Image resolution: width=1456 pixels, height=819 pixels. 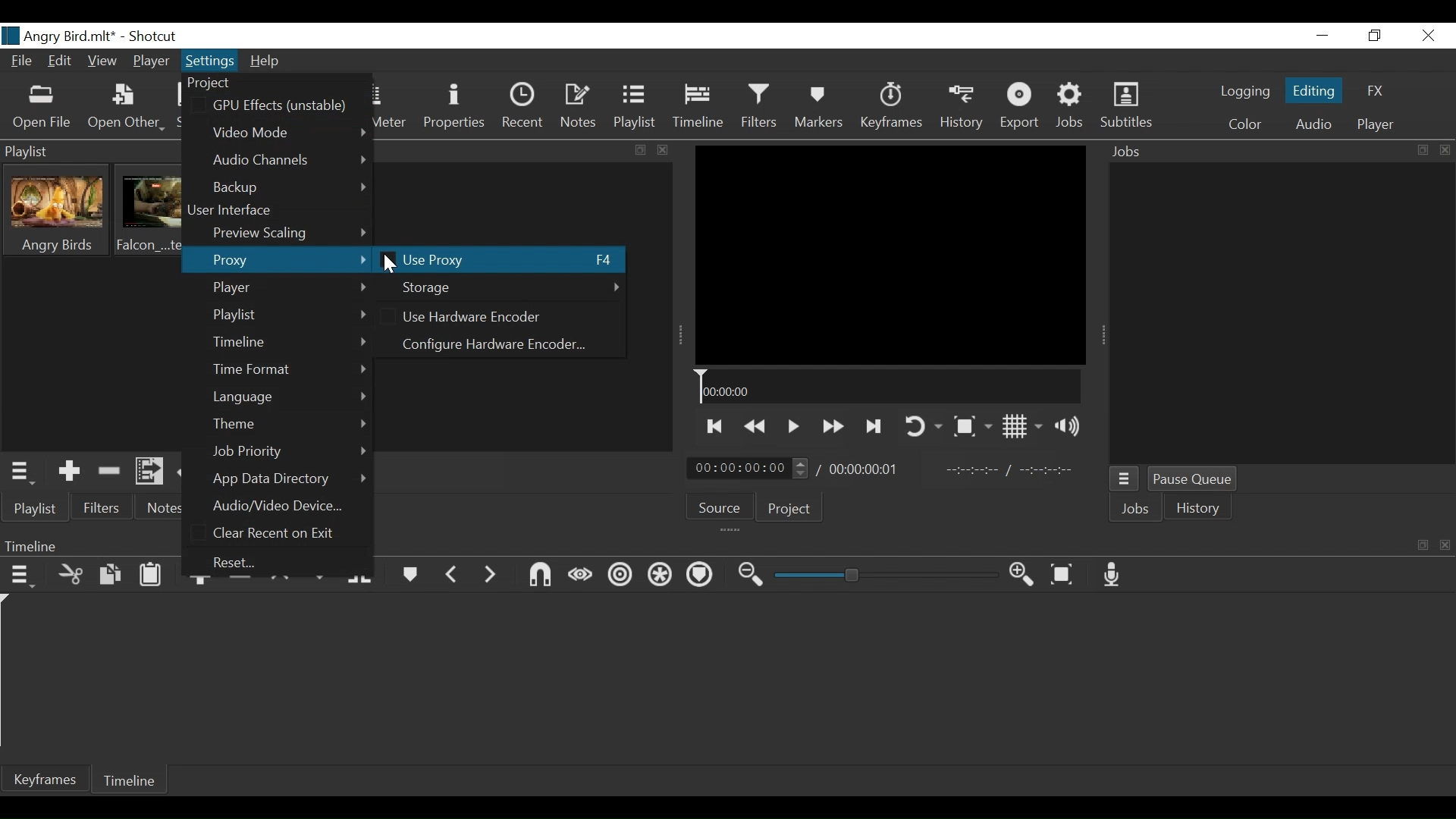 What do you see at coordinates (1246, 124) in the screenshot?
I see `Color` at bounding box center [1246, 124].